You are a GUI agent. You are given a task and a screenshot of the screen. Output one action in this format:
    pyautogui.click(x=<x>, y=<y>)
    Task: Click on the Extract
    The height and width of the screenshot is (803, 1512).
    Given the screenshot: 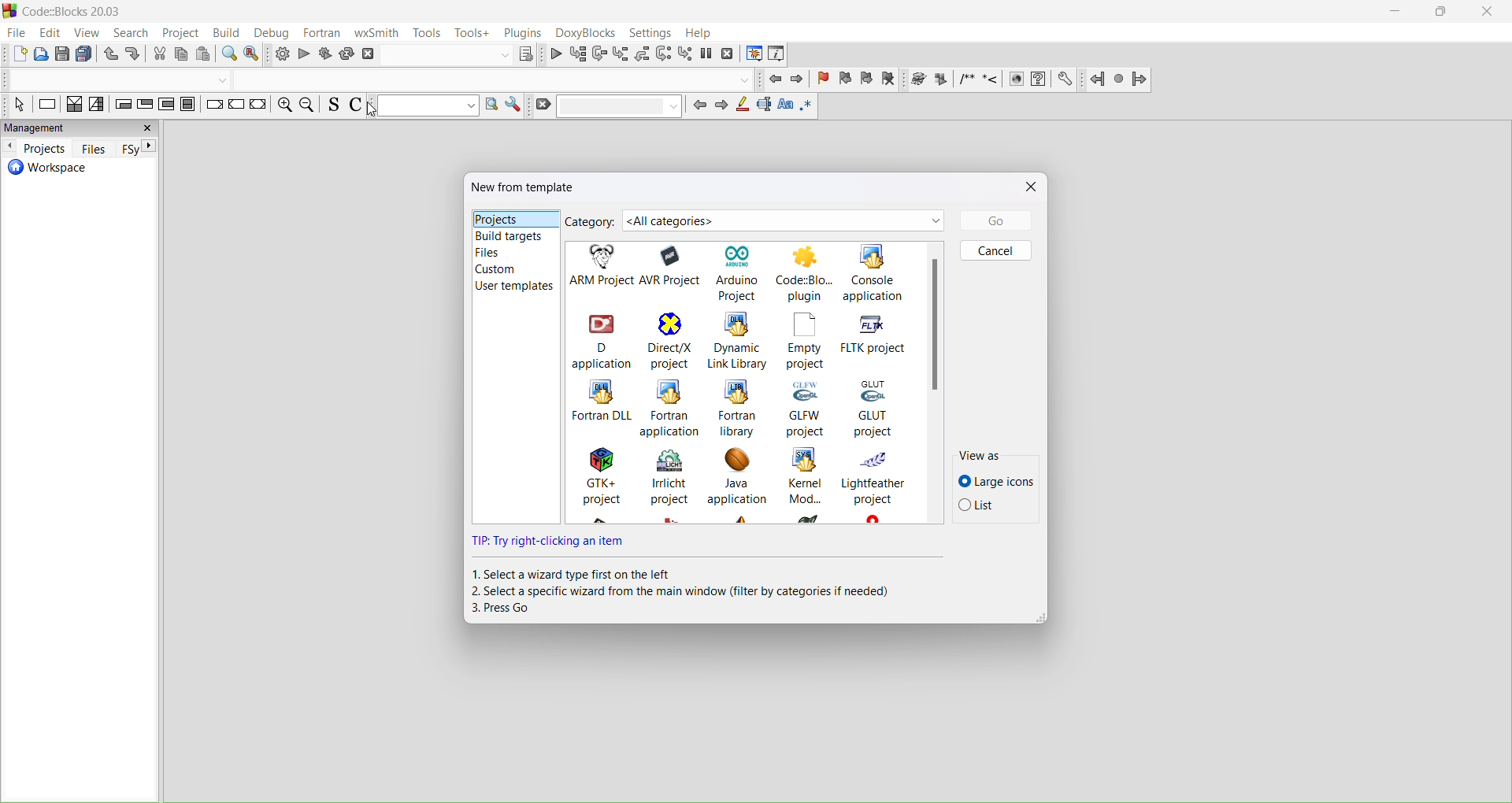 What is the action you would take?
    pyautogui.click(x=939, y=79)
    